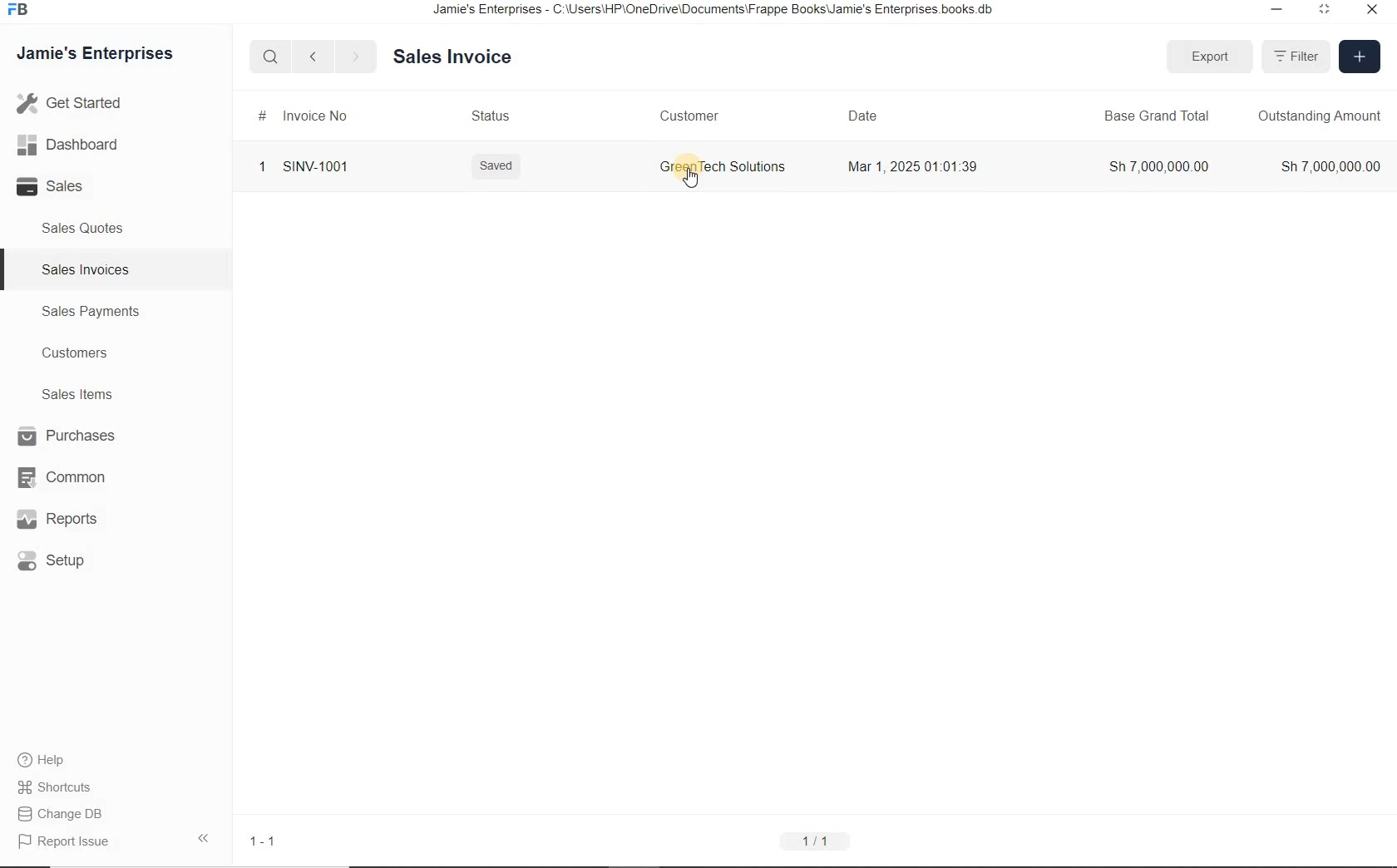 The width and height of the screenshot is (1397, 868). I want to click on Sales Payments, so click(91, 312).